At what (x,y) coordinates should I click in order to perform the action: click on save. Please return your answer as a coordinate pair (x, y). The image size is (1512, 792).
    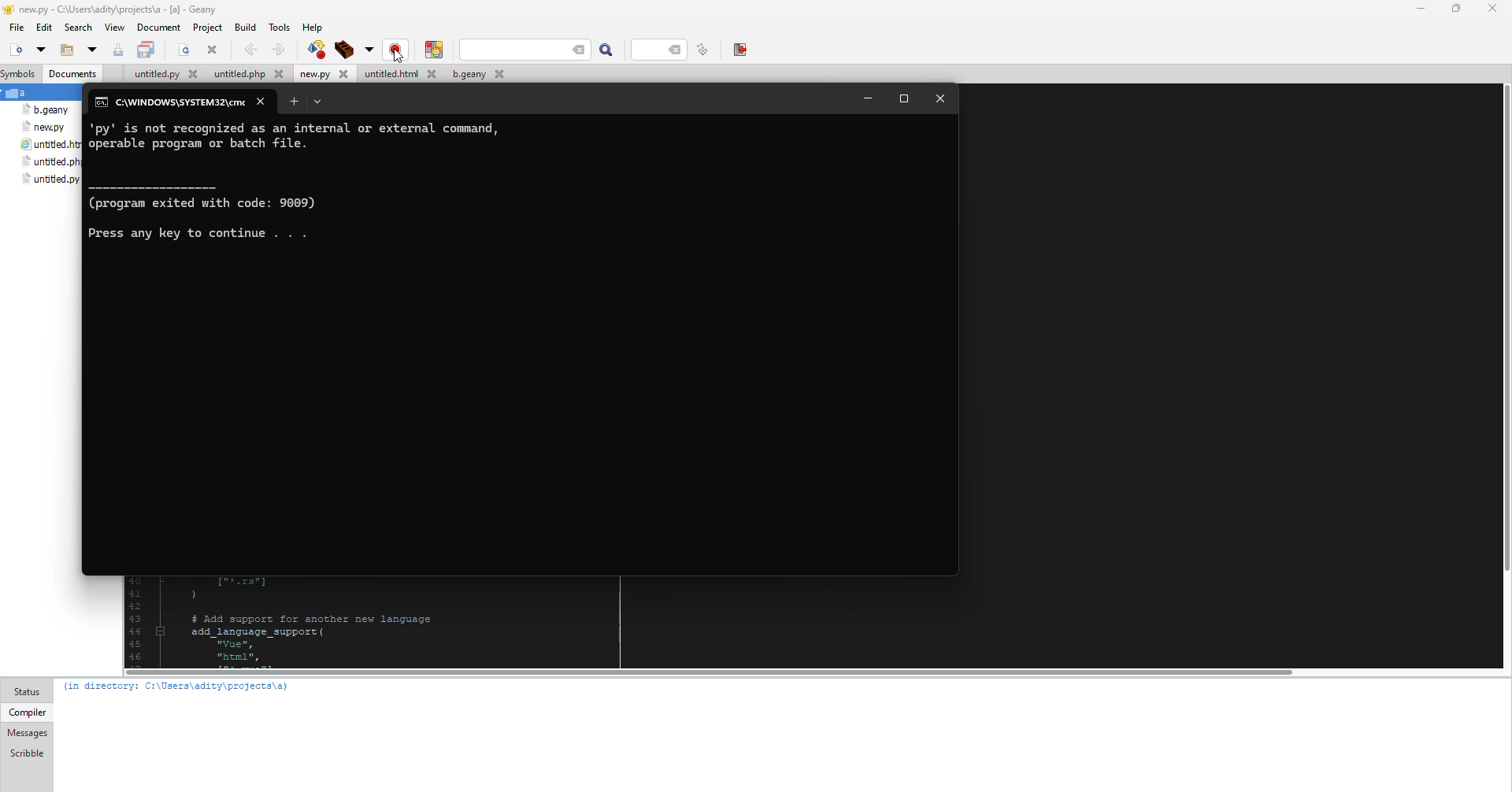
    Looking at the image, I should click on (116, 51).